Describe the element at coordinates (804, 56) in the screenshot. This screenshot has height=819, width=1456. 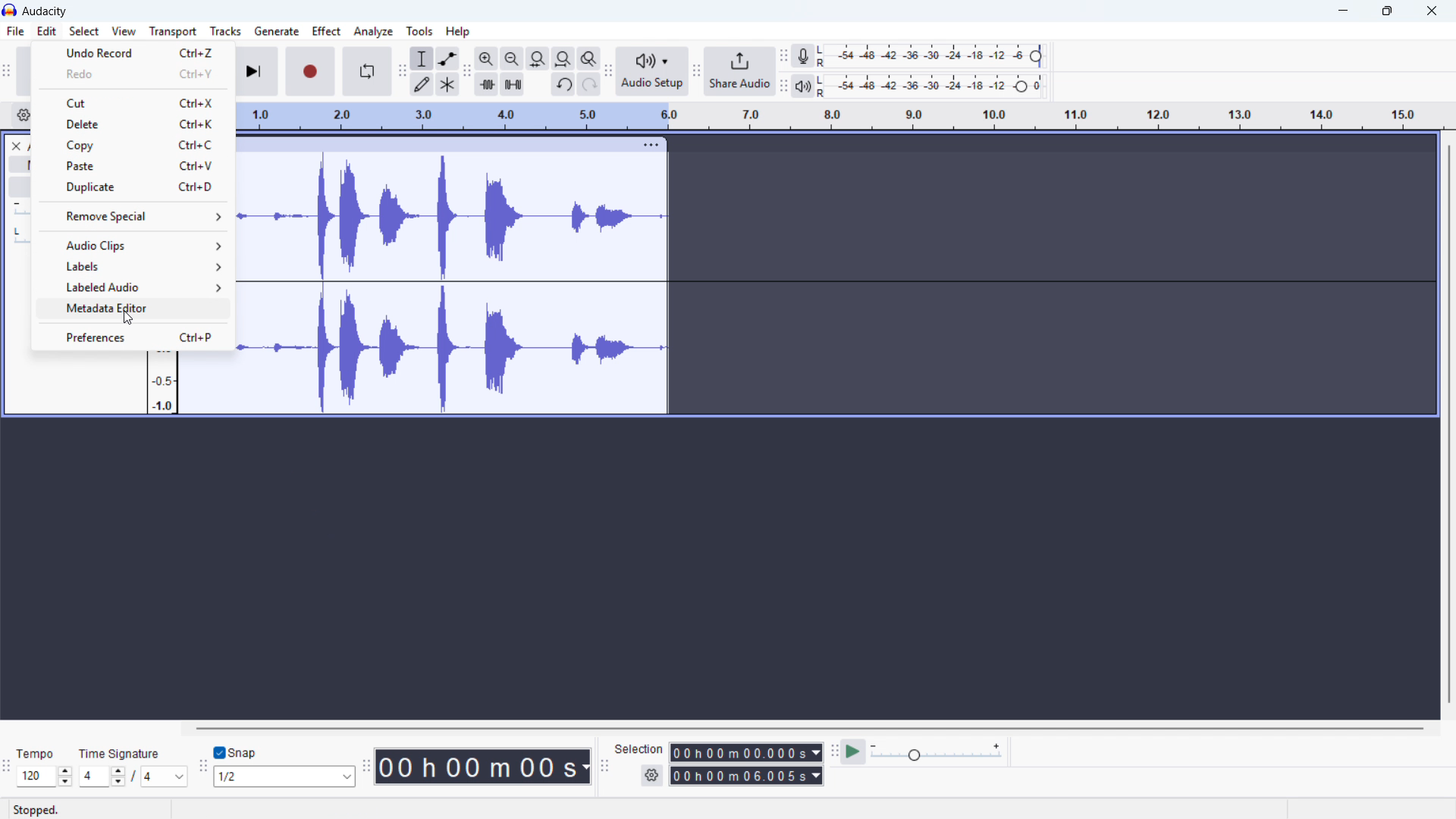
I see `recording meter ` at that location.